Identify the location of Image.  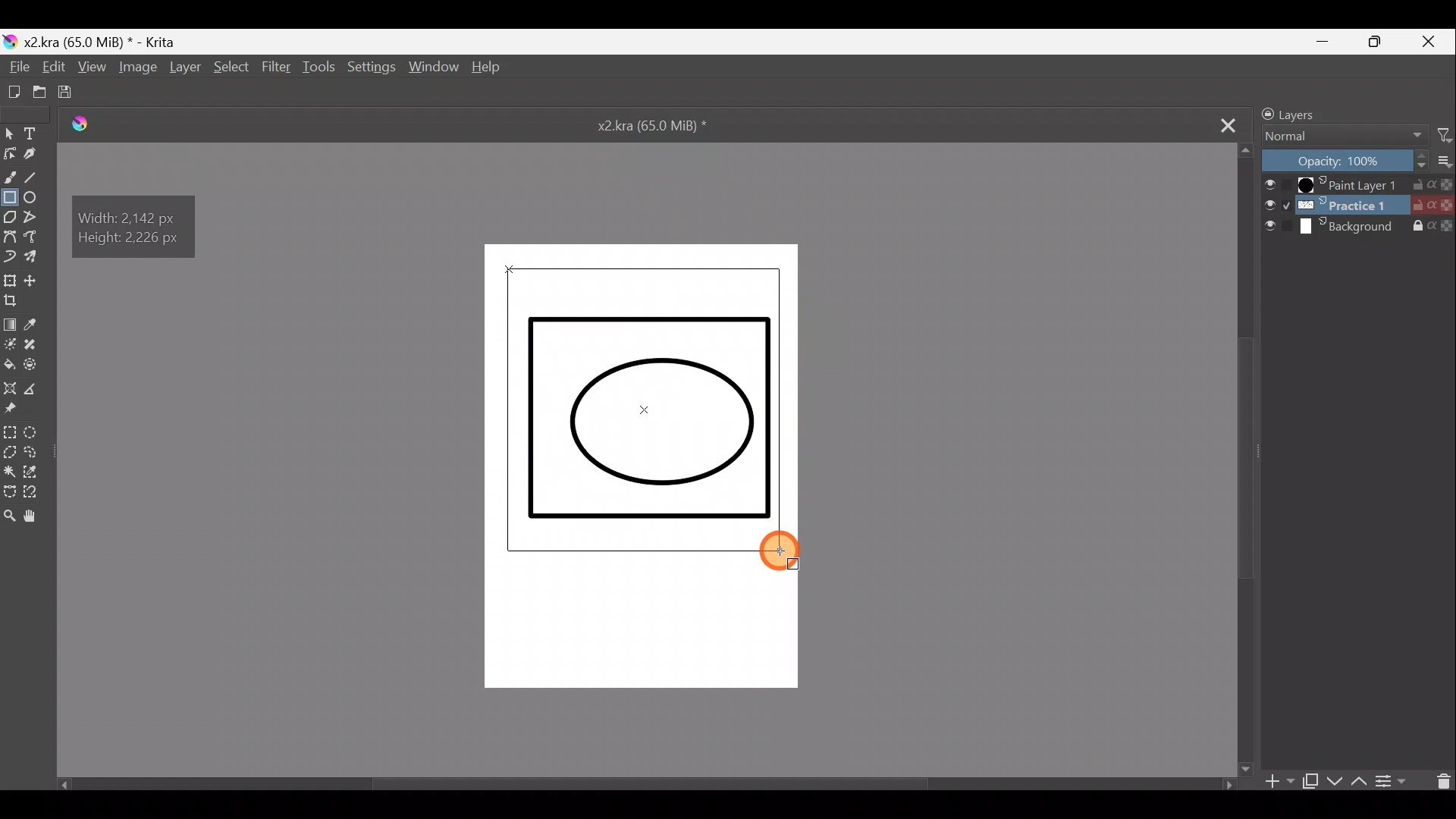
(135, 68).